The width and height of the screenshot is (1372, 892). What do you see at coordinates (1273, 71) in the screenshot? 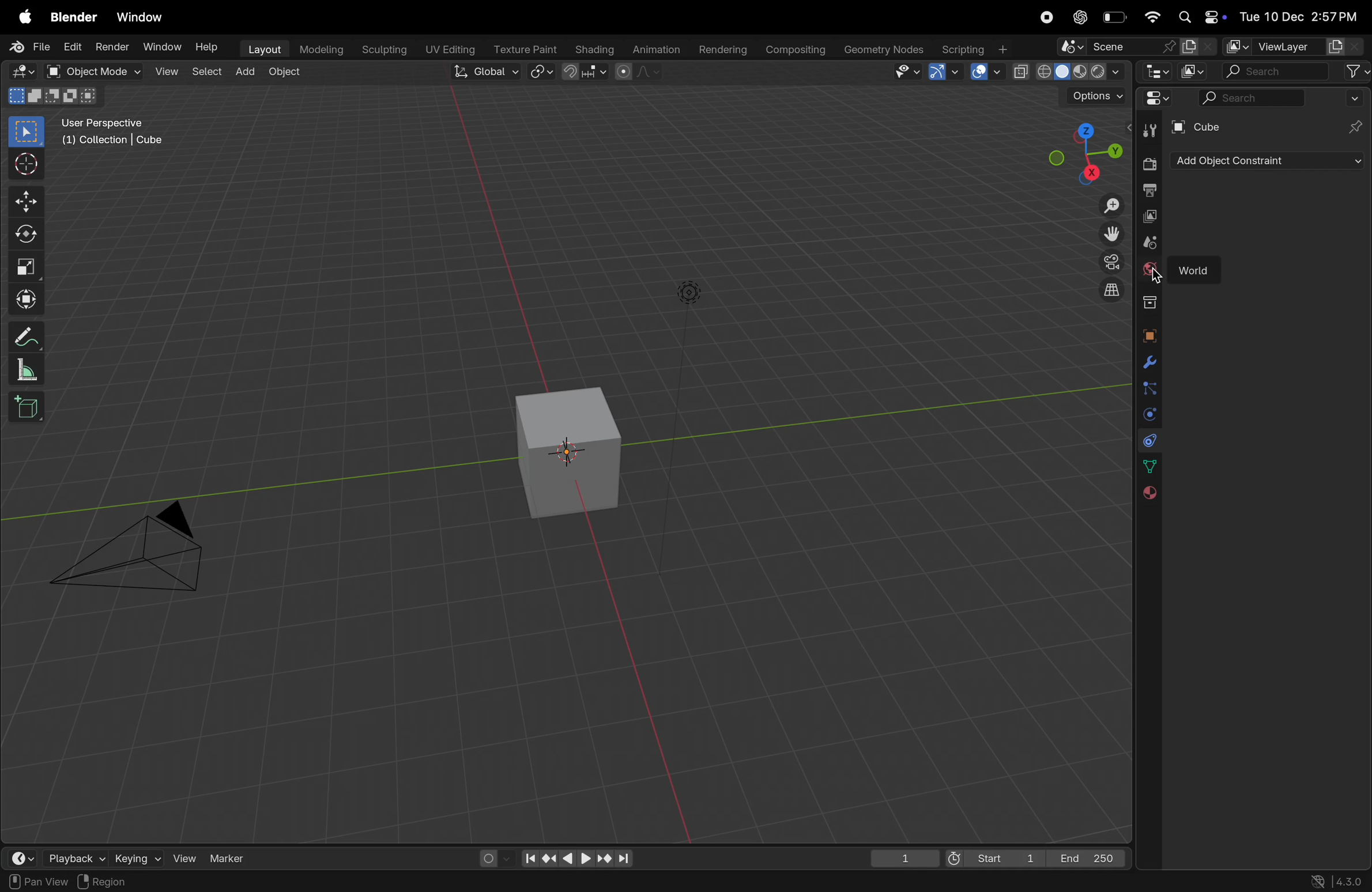
I see `search` at bounding box center [1273, 71].